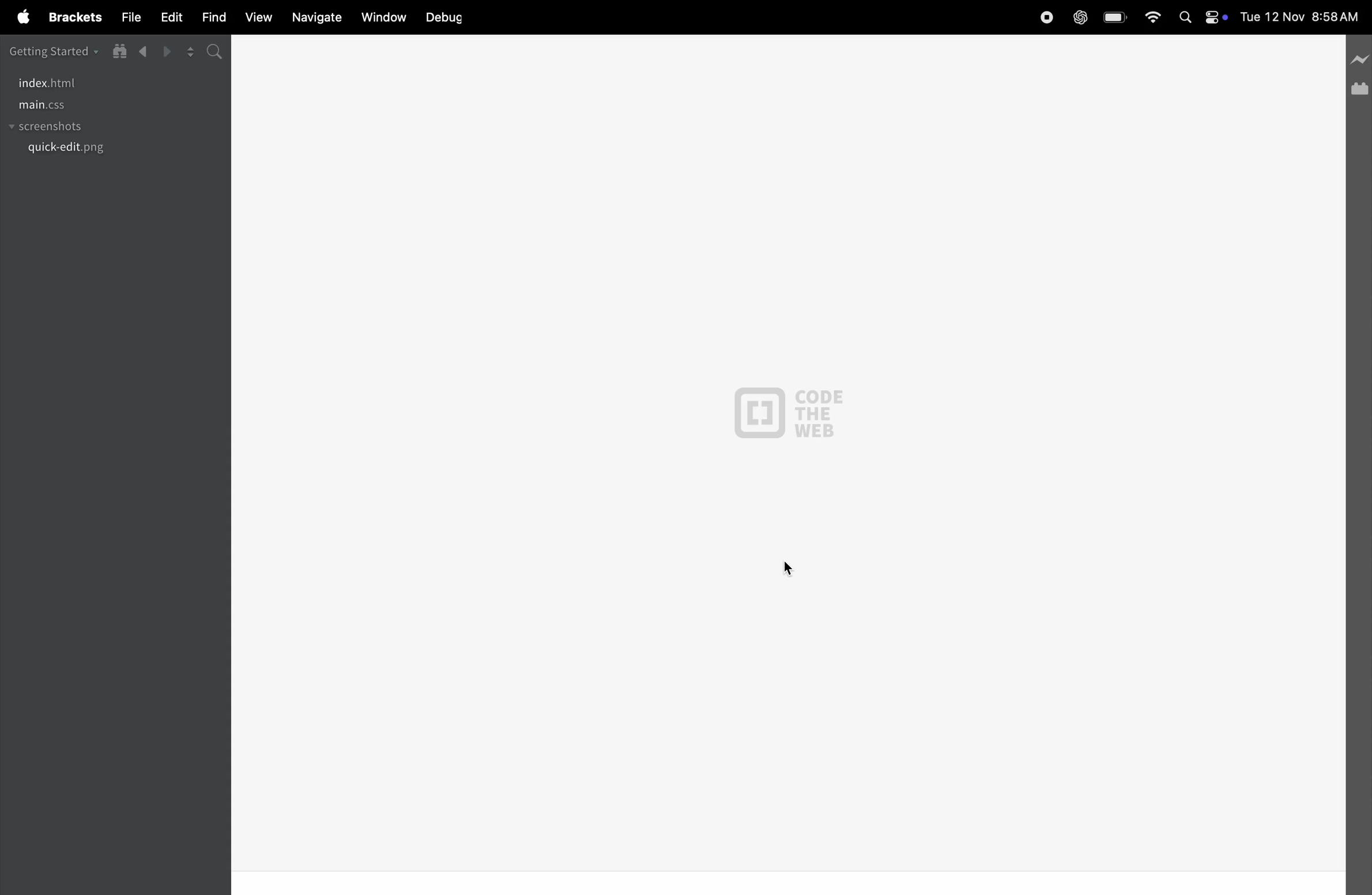 Image resolution: width=1372 pixels, height=895 pixels. Describe the element at coordinates (446, 17) in the screenshot. I see `debug` at that location.